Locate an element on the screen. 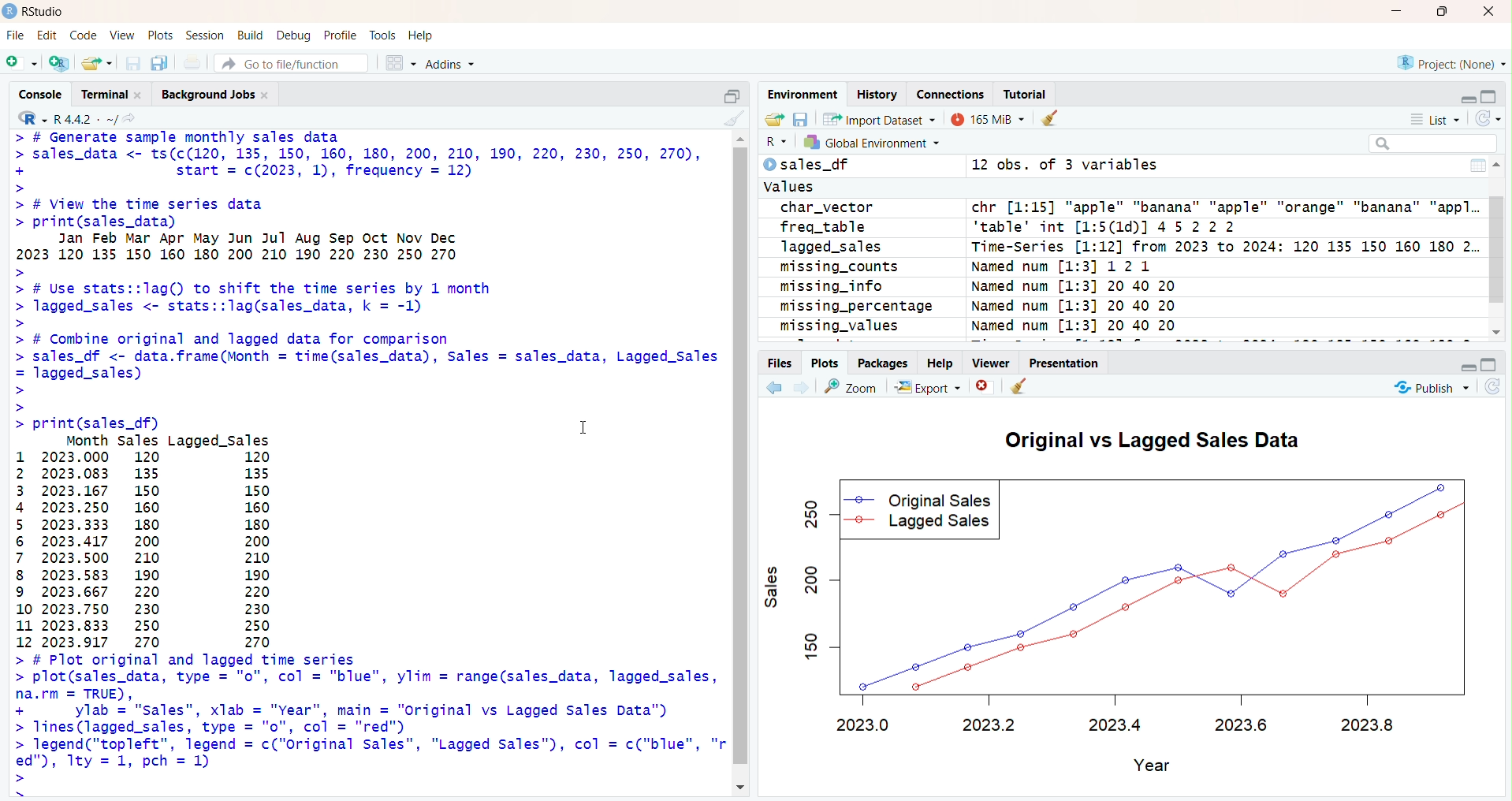  print(sales_df) is located at coordinates (107, 423).